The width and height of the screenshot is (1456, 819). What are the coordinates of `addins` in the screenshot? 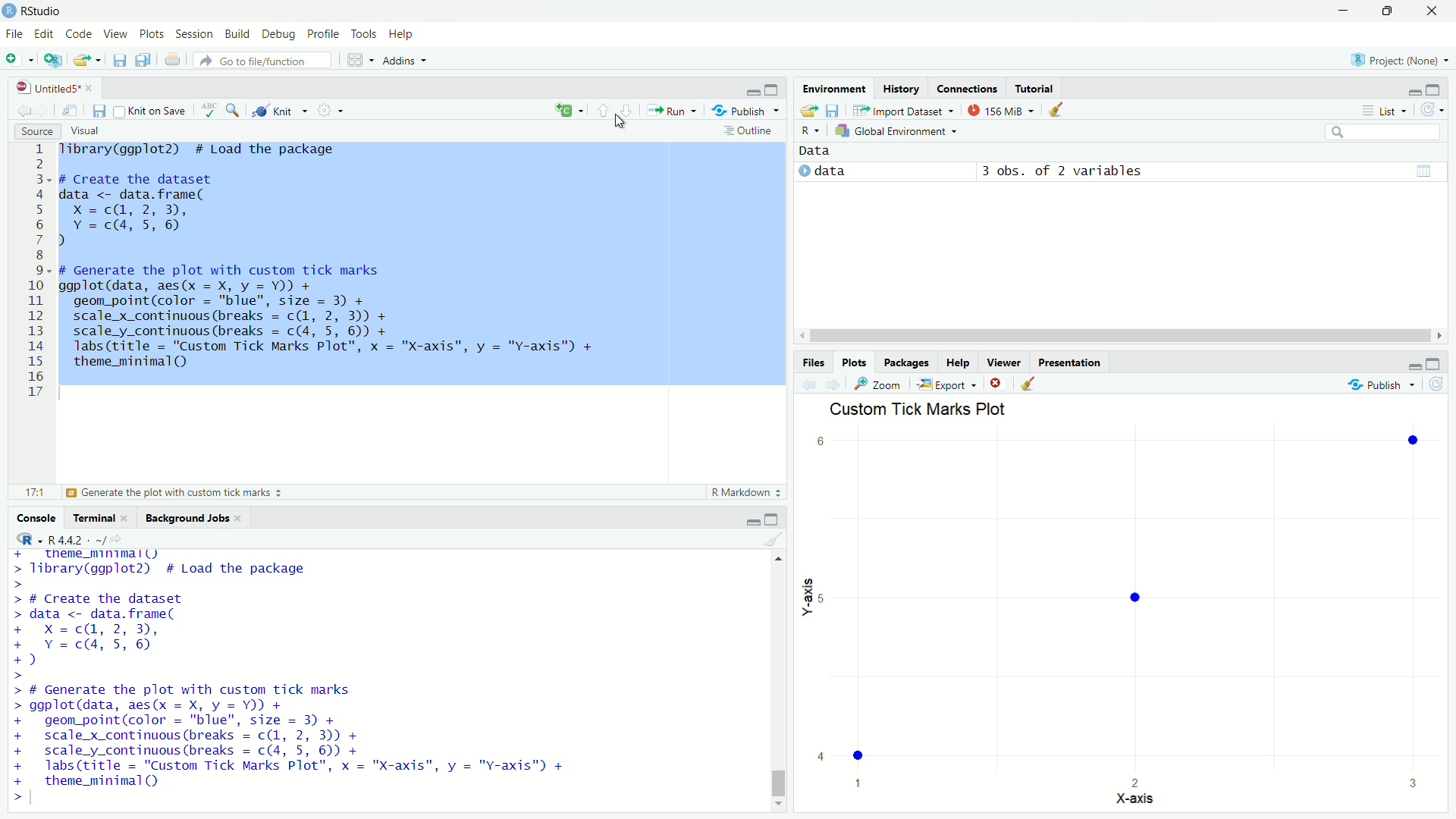 It's located at (406, 61).